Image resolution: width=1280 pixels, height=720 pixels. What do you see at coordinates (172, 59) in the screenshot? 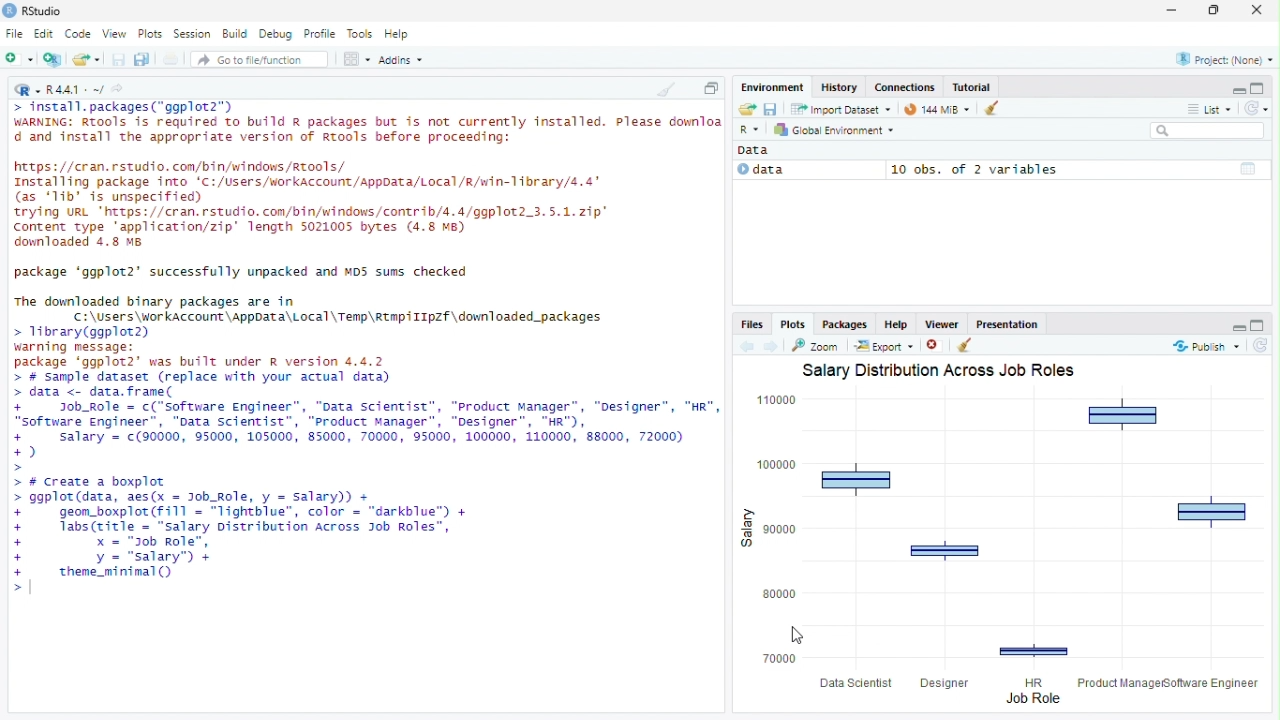
I see `print the current file` at bounding box center [172, 59].